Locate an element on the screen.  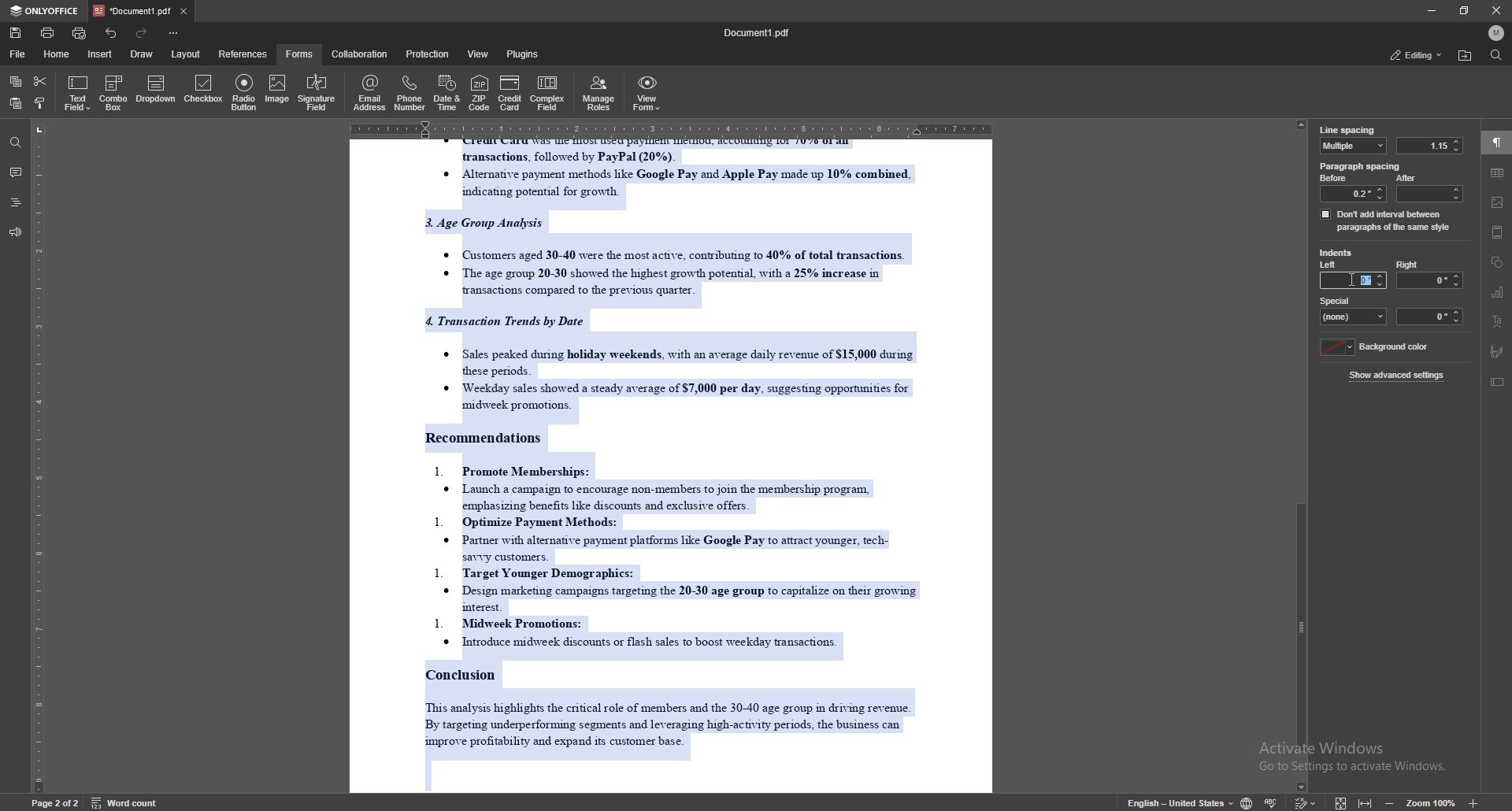
before: 0.2 is located at coordinates (1351, 187).